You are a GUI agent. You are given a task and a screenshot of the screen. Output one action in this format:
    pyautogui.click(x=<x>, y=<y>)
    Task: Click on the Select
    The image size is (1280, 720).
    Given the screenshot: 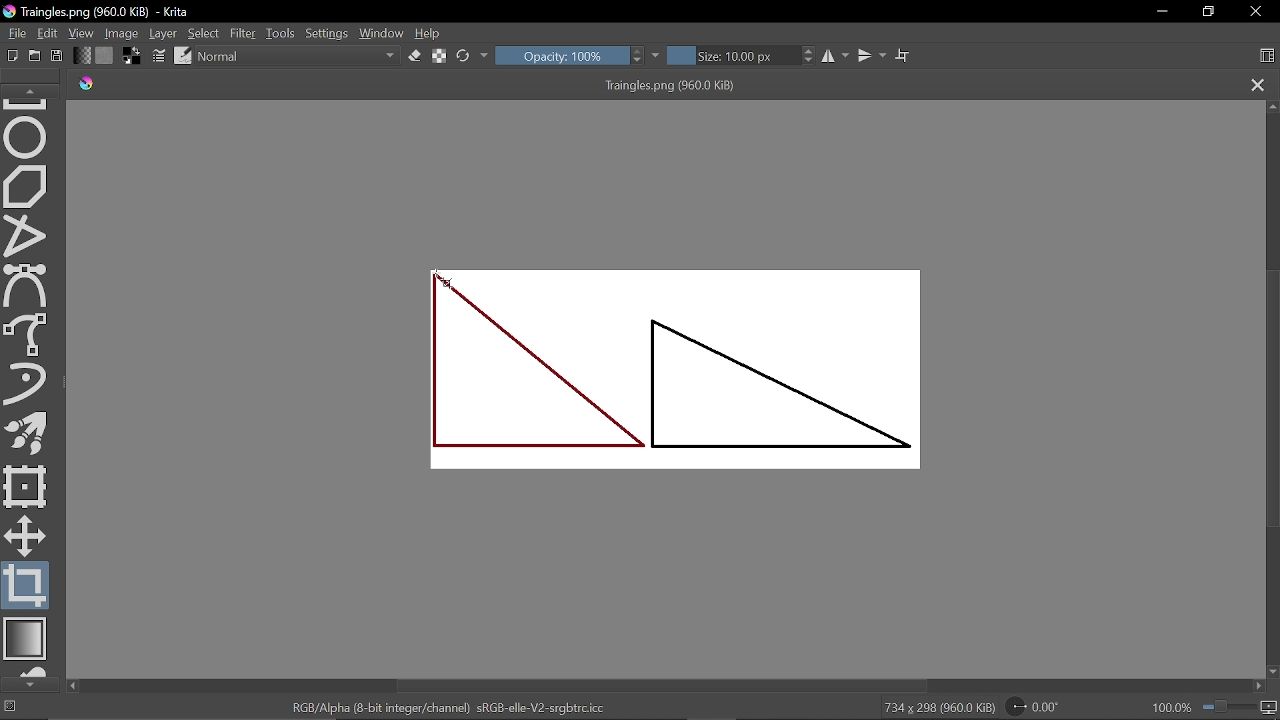 What is the action you would take?
    pyautogui.click(x=205, y=34)
    